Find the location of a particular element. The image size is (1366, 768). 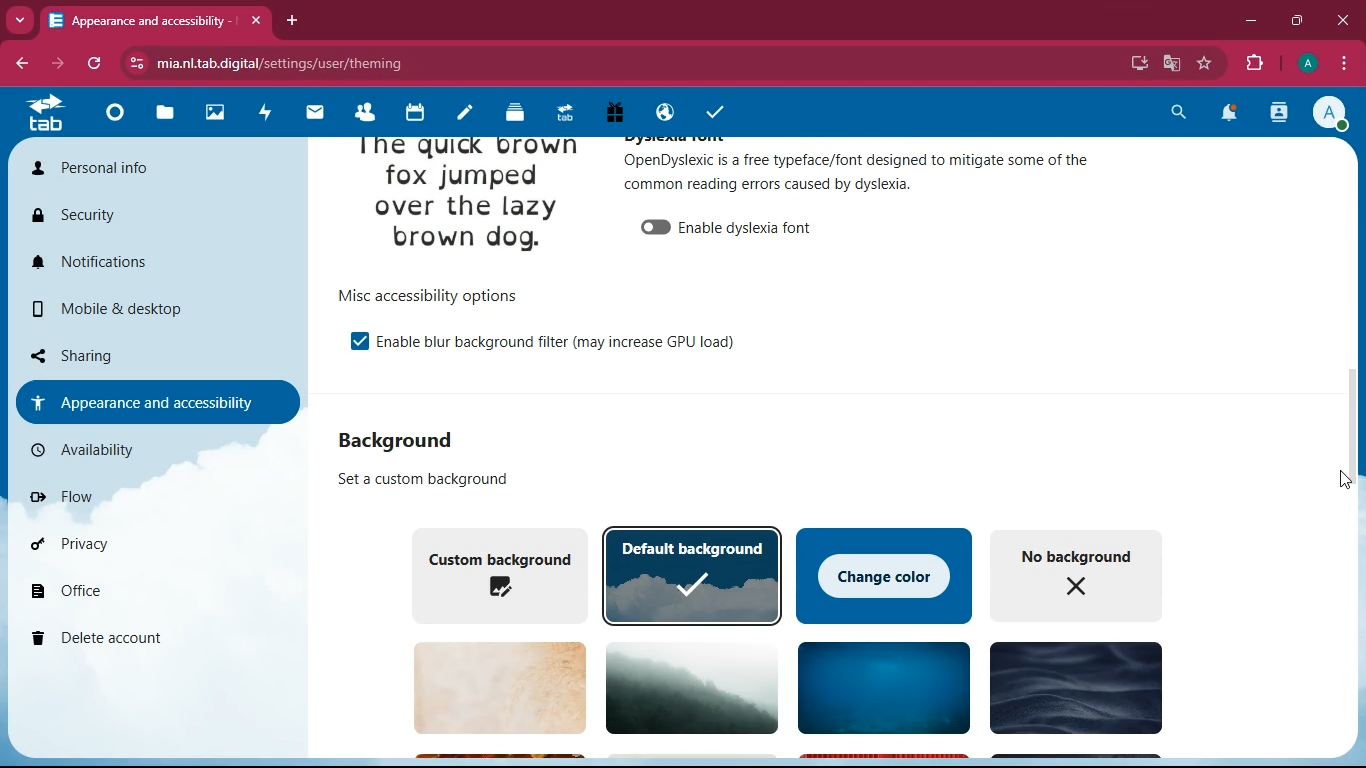

default background is located at coordinates (692, 575).